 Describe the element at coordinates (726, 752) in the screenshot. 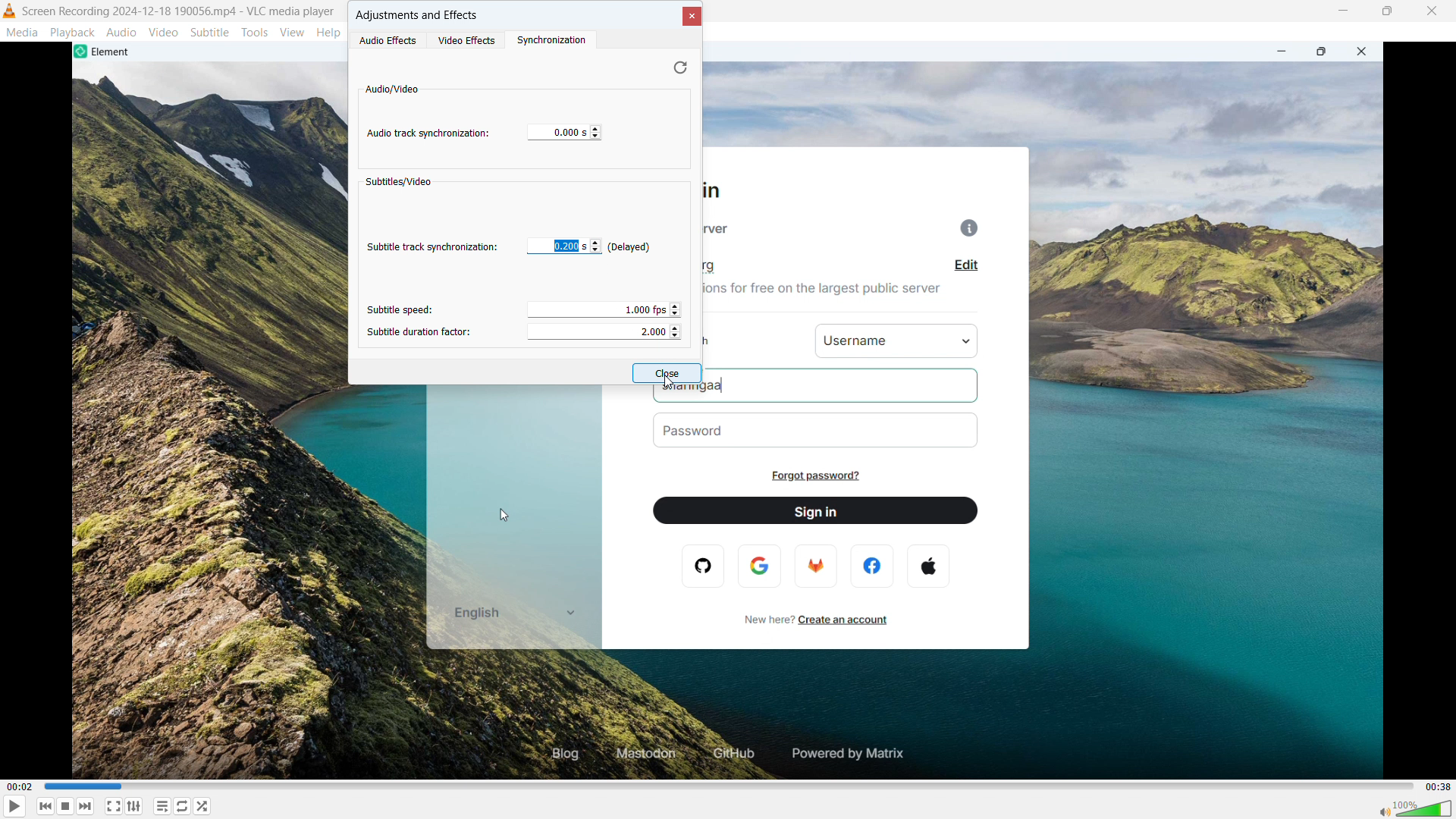

I see `github` at that location.